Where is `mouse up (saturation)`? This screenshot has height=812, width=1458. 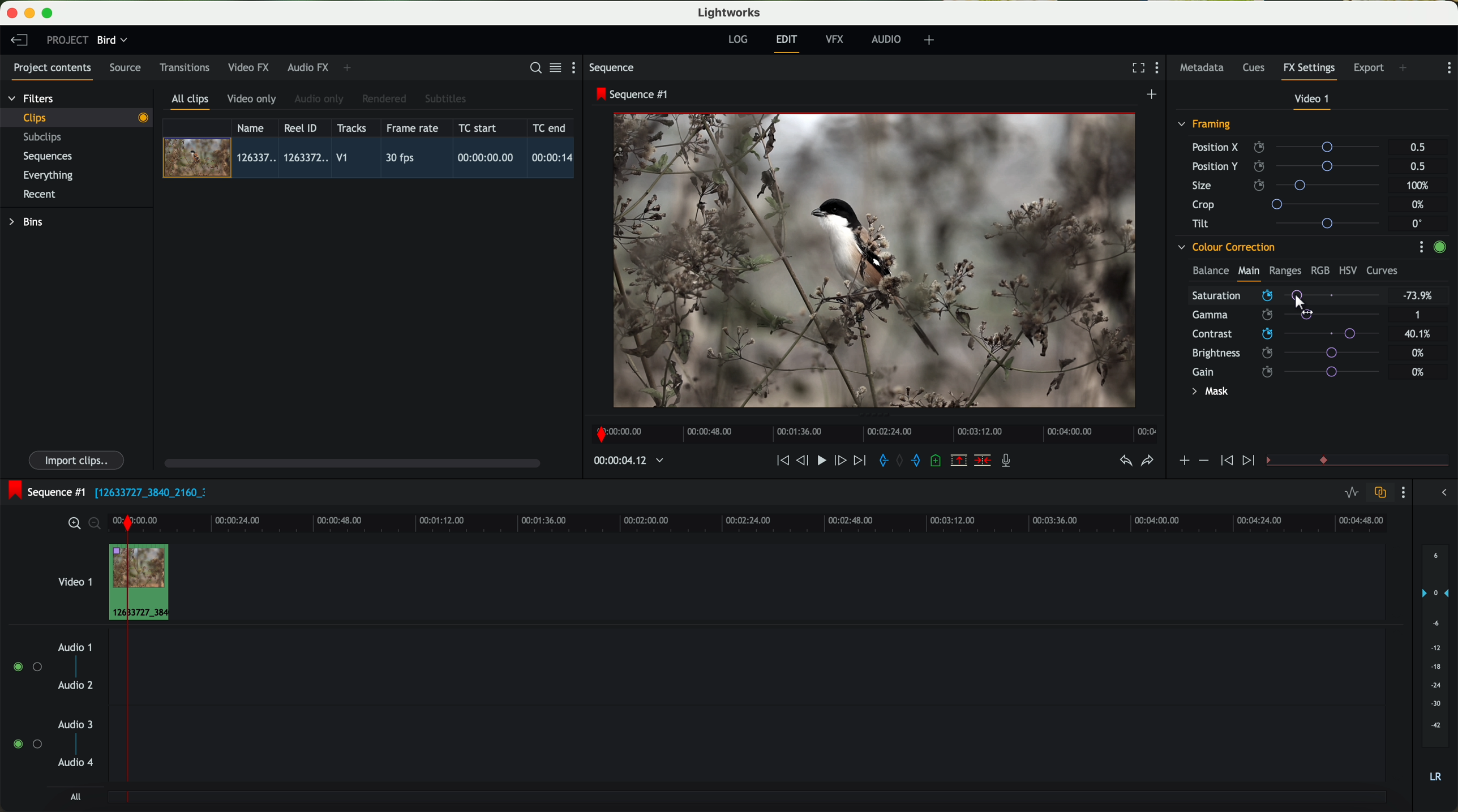
mouse up (saturation) is located at coordinates (1287, 295).